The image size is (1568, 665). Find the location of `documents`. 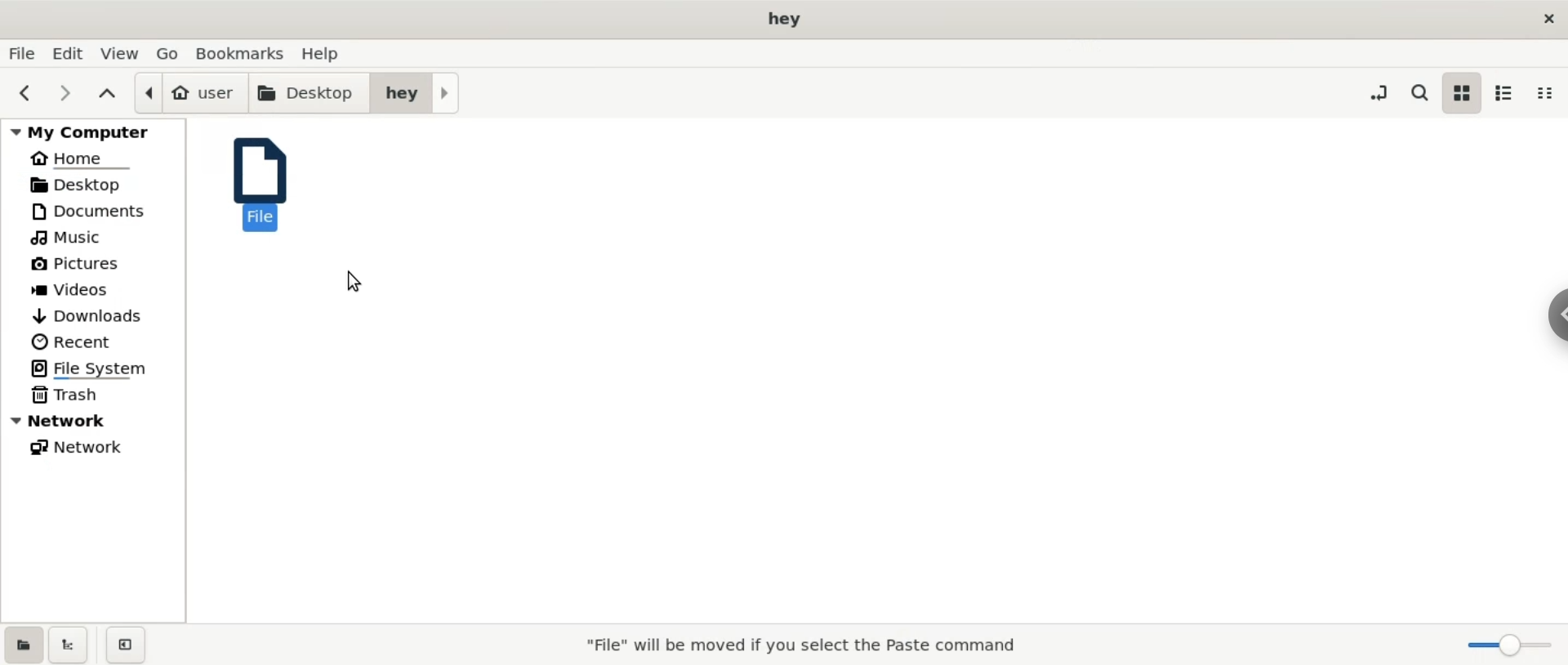

documents is located at coordinates (94, 210).